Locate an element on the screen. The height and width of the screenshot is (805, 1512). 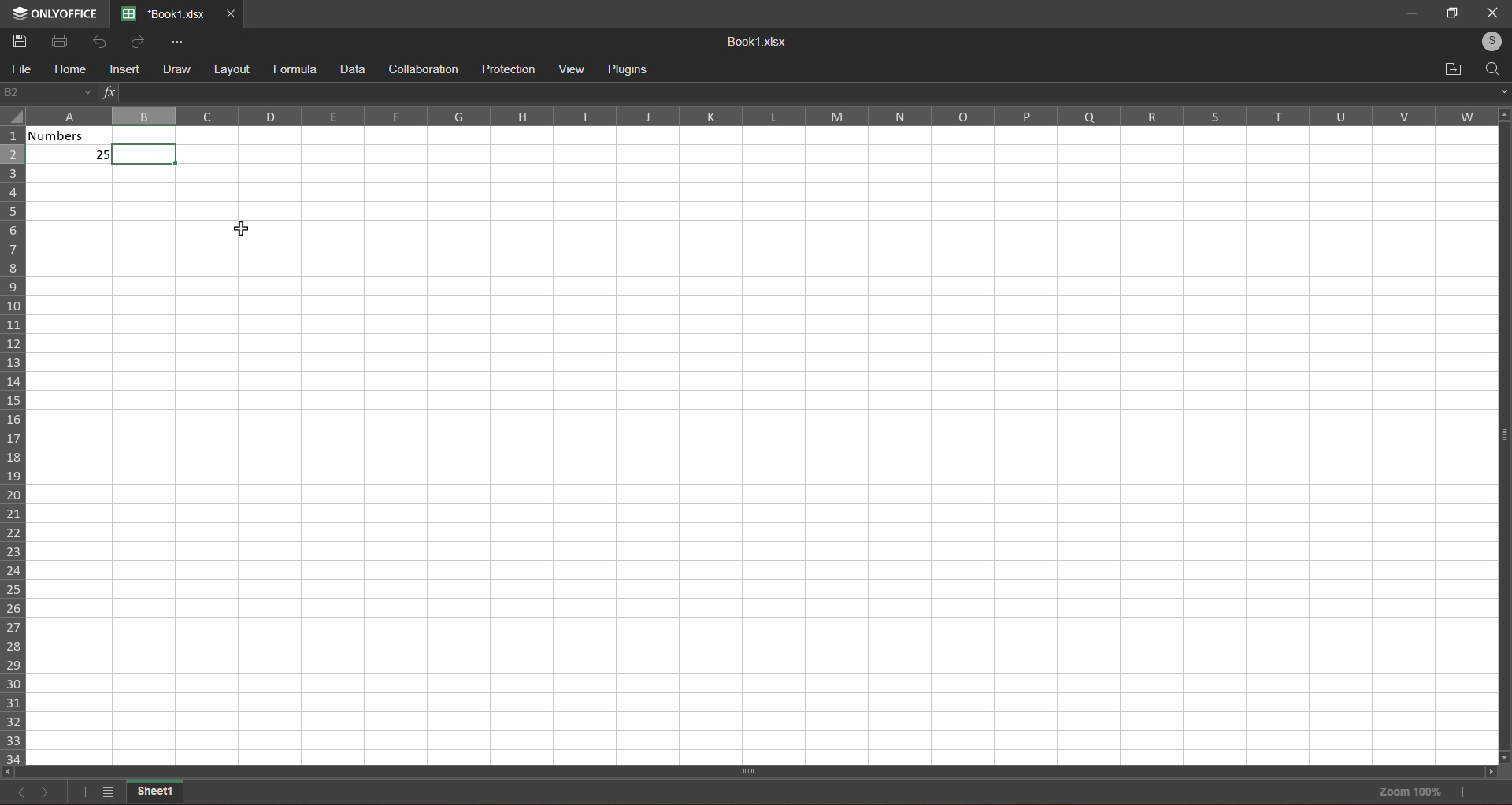
more is located at coordinates (176, 42).